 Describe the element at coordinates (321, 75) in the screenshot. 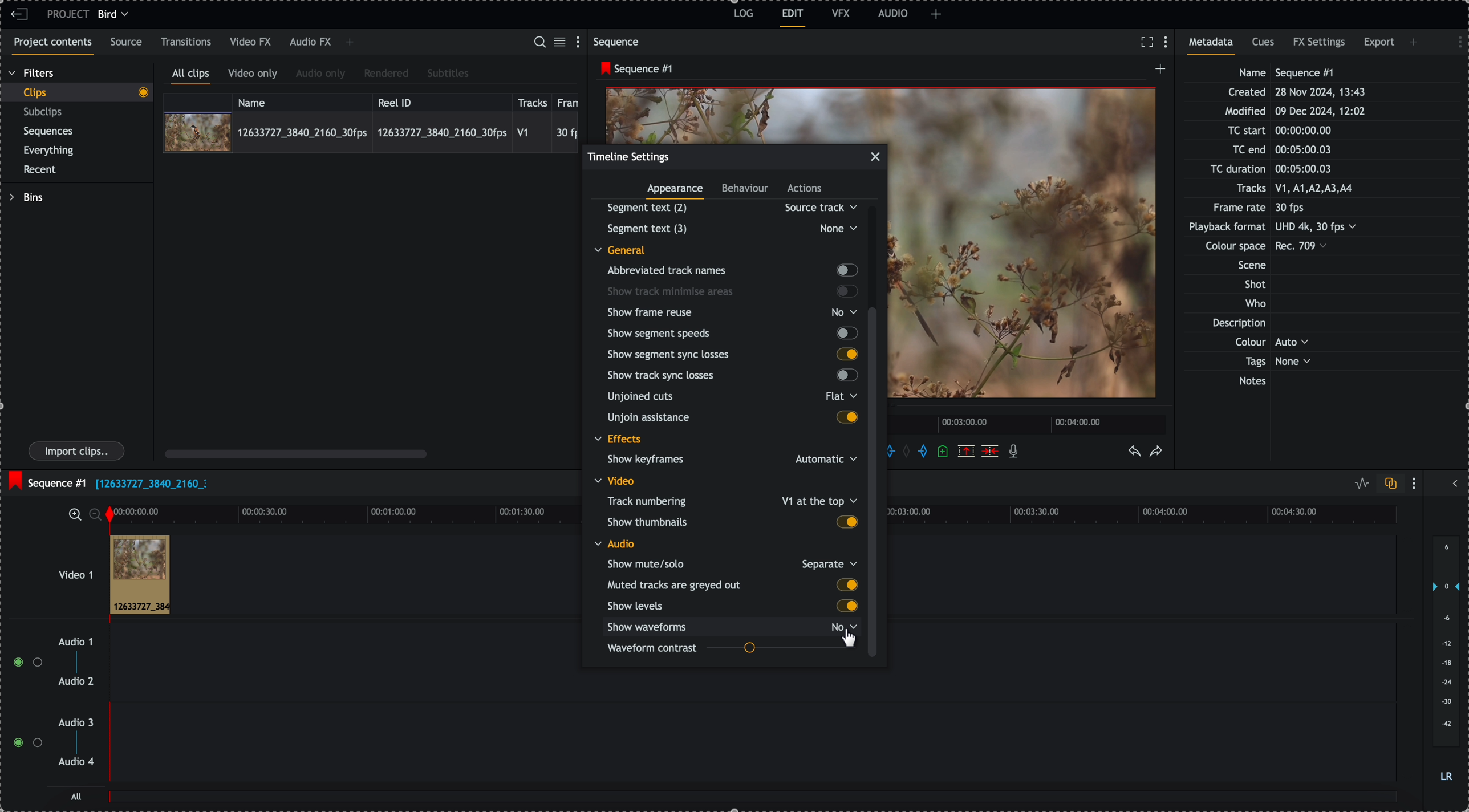

I see `audio only` at that location.